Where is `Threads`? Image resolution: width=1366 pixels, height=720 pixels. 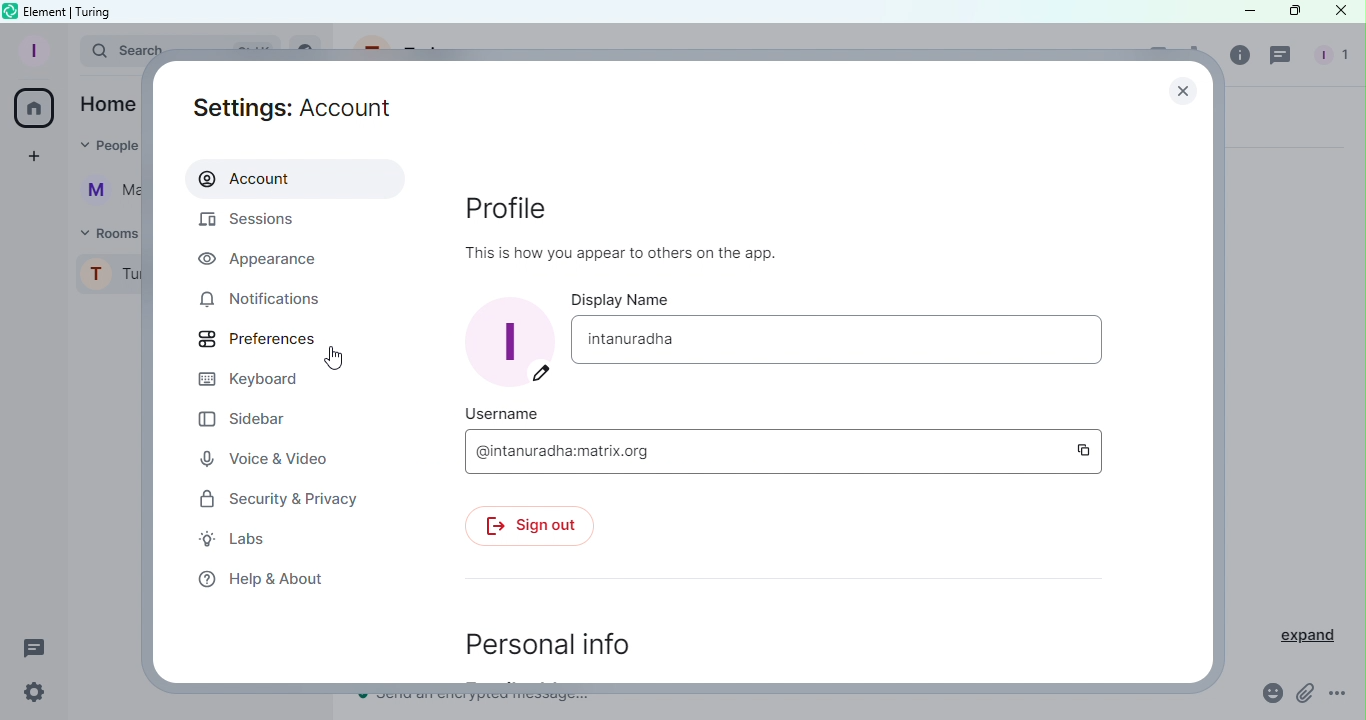
Threads is located at coordinates (35, 646).